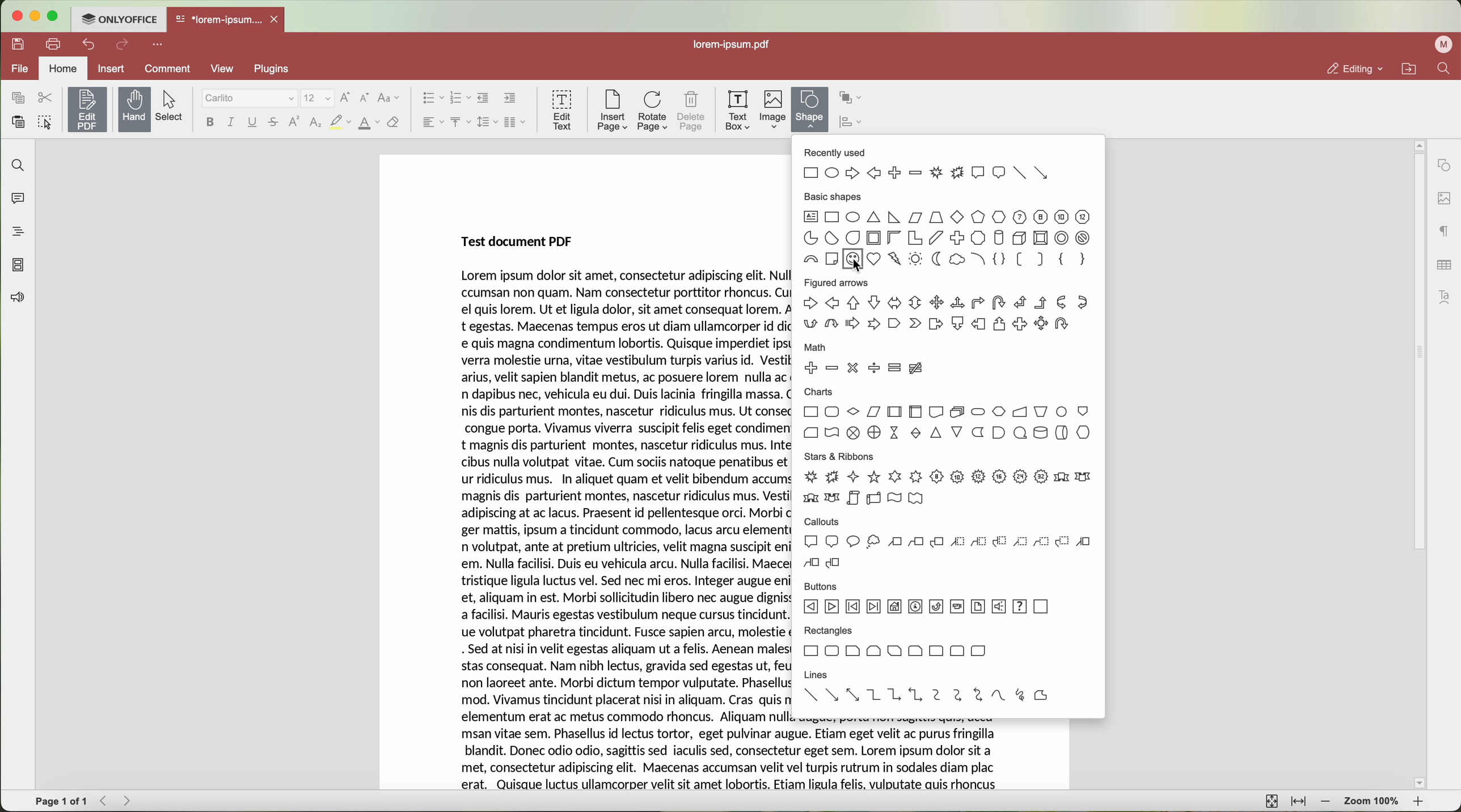 This screenshot has height=812, width=1461. What do you see at coordinates (285, 69) in the screenshot?
I see `plugins` at bounding box center [285, 69].